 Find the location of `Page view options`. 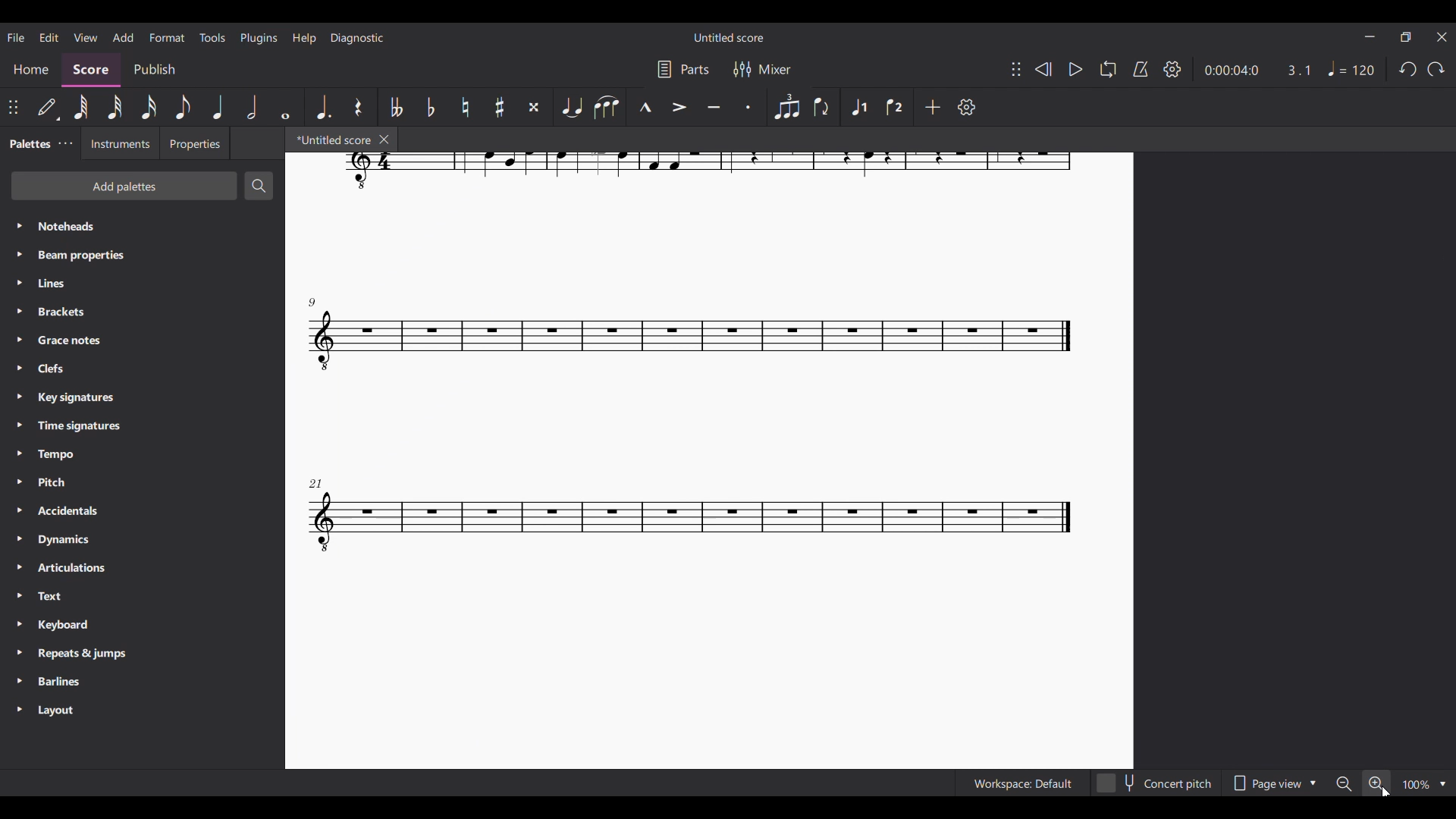

Page view options is located at coordinates (1271, 783).